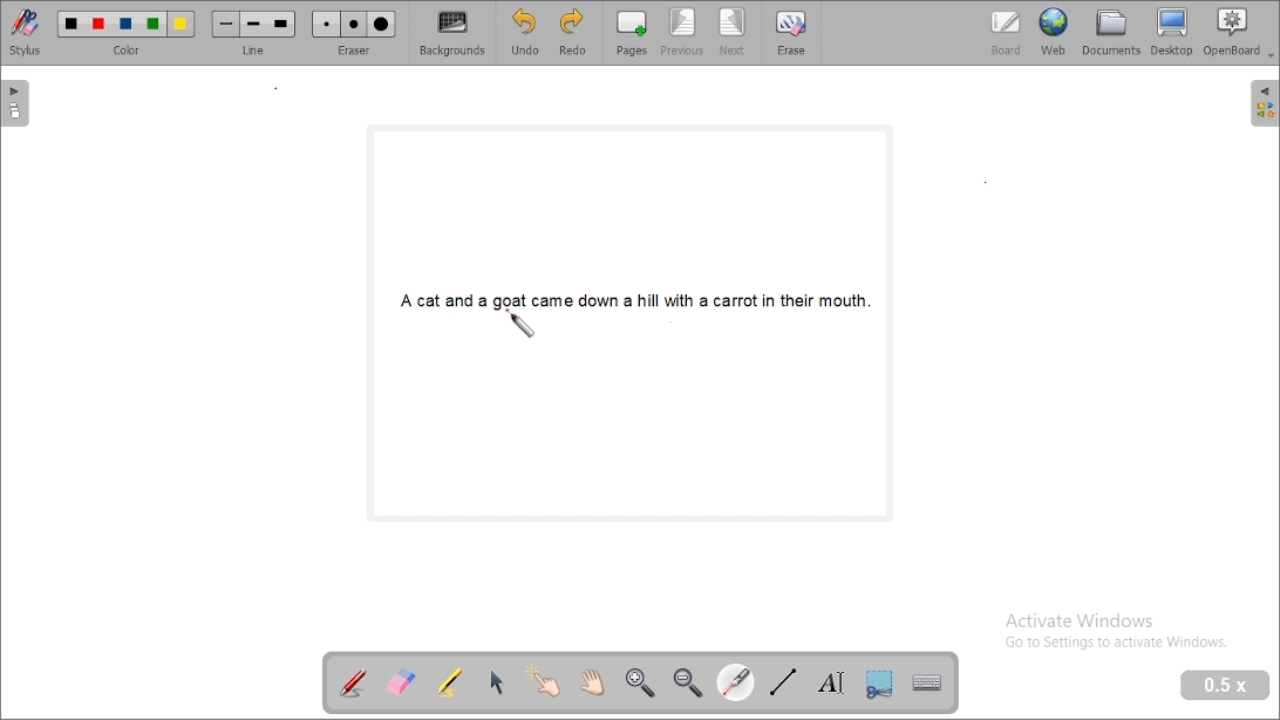  What do you see at coordinates (928, 683) in the screenshot?
I see `display virtual keyboard` at bounding box center [928, 683].